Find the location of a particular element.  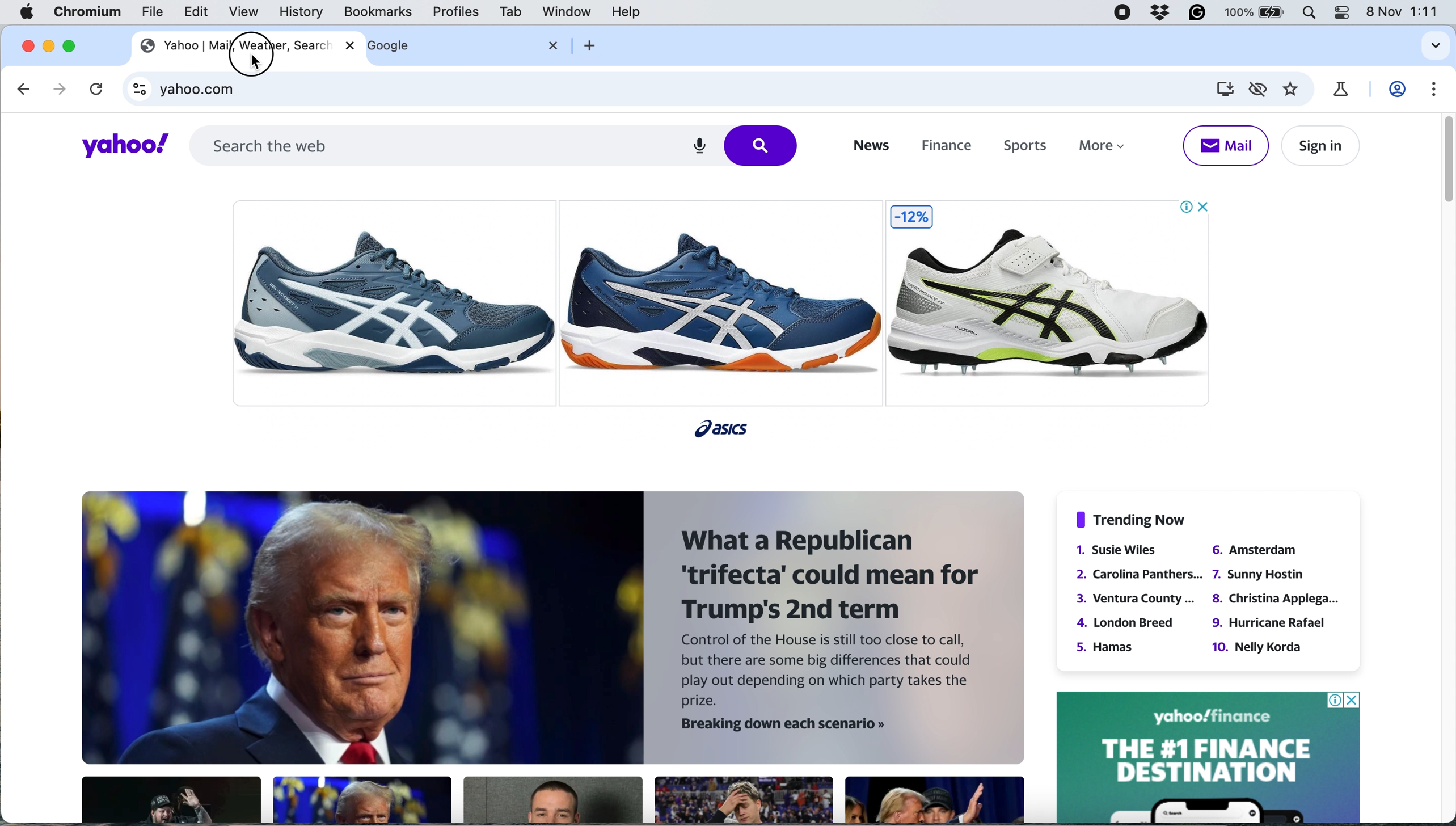

system logo is located at coordinates (28, 12).